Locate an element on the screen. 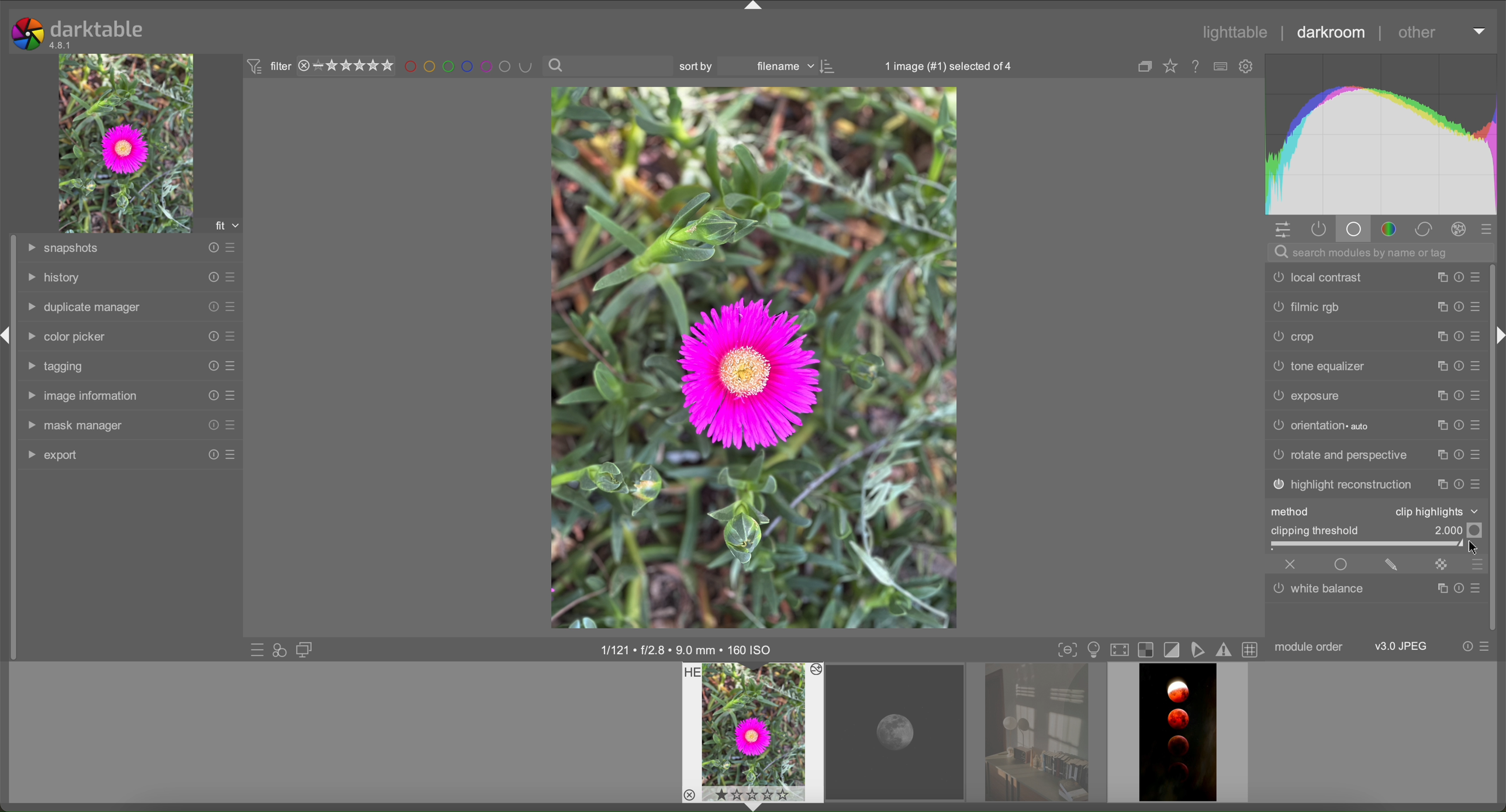 The height and width of the screenshot is (812, 1506). color chart is located at coordinates (1383, 133).